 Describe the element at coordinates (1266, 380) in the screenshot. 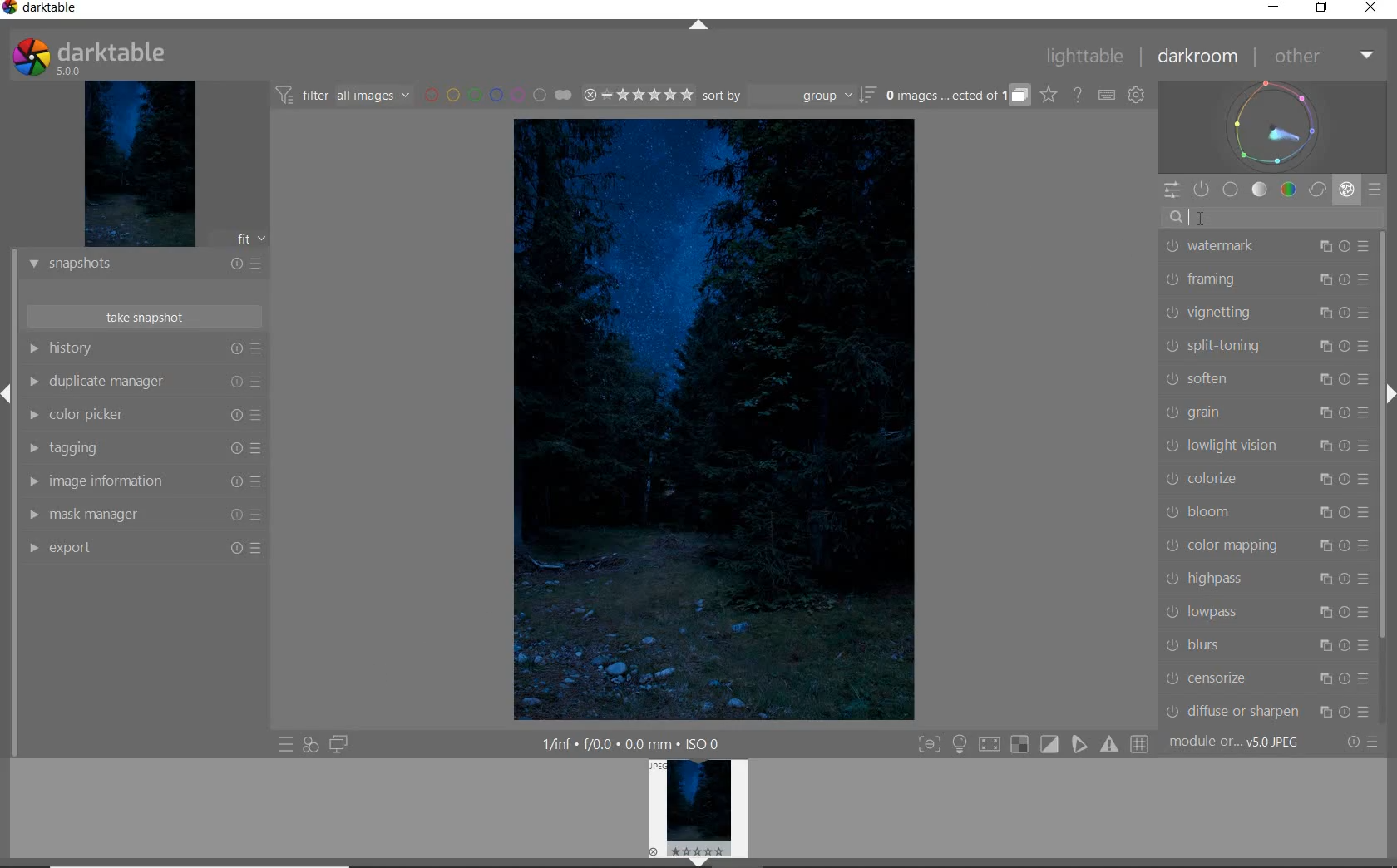

I see `SOFTEN` at that location.